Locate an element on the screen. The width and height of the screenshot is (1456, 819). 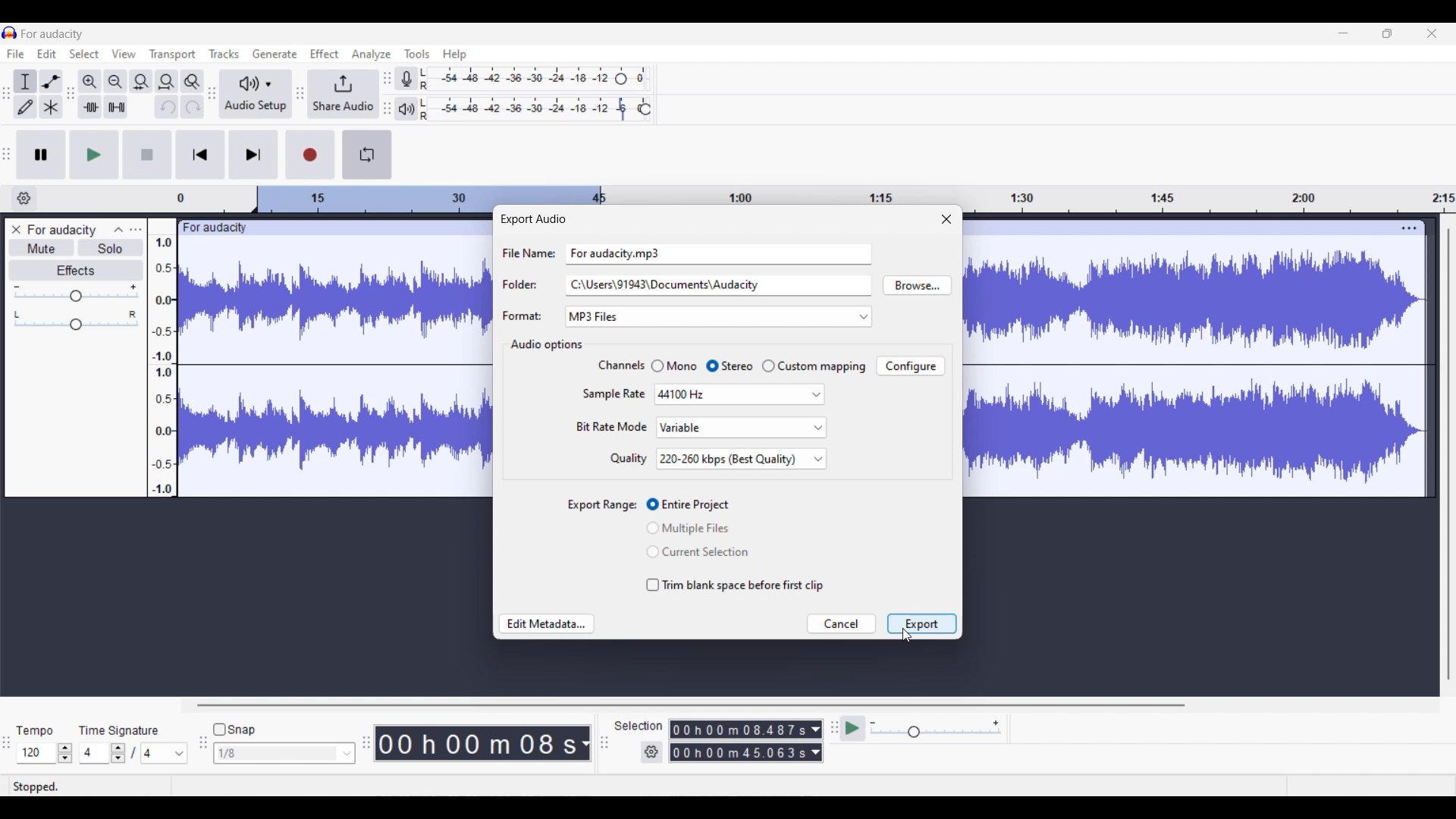
Toggle for 'Multiple Files' is located at coordinates (698, 528).